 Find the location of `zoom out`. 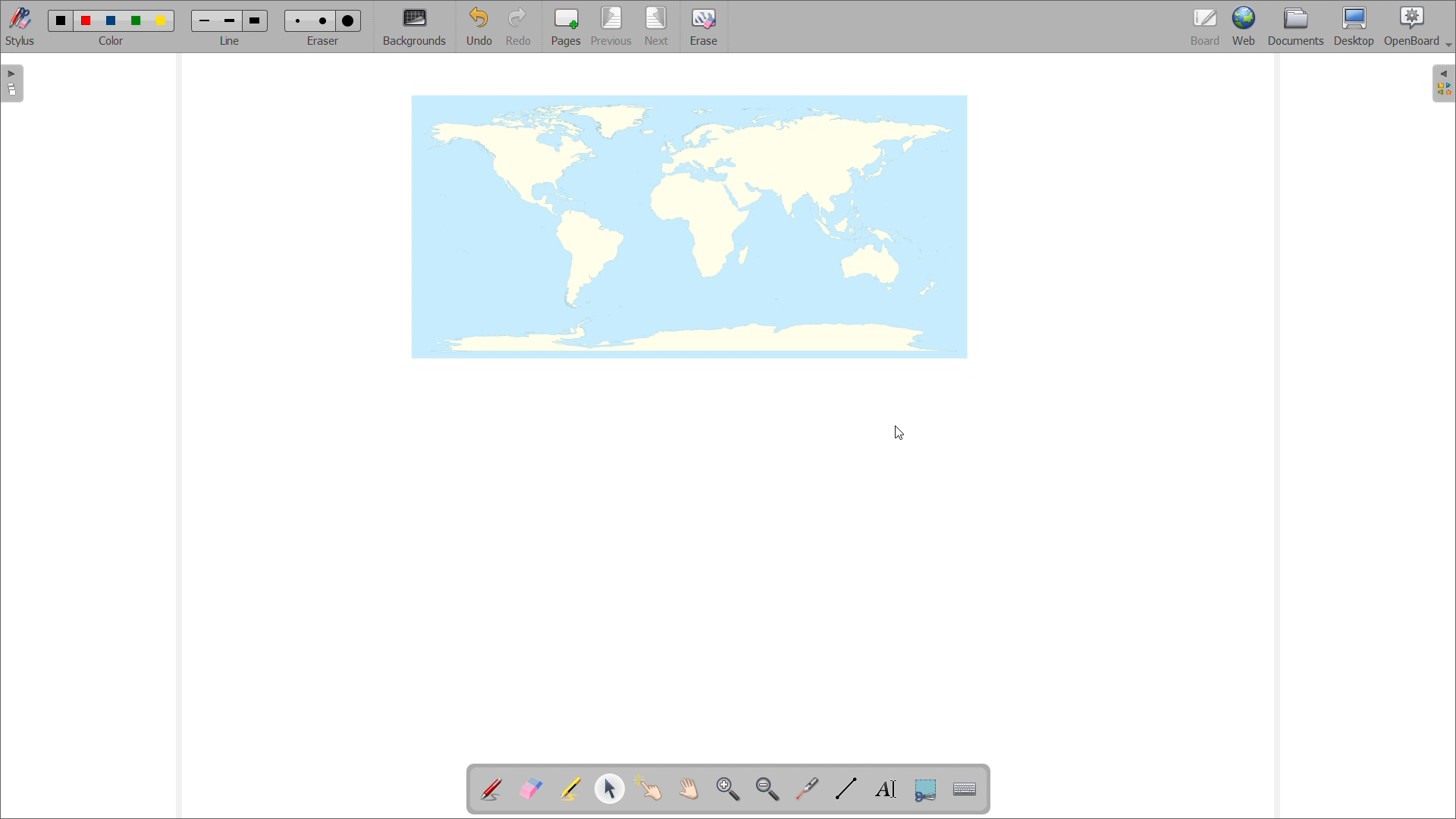

zoom out is located at coordinates (767, 789).